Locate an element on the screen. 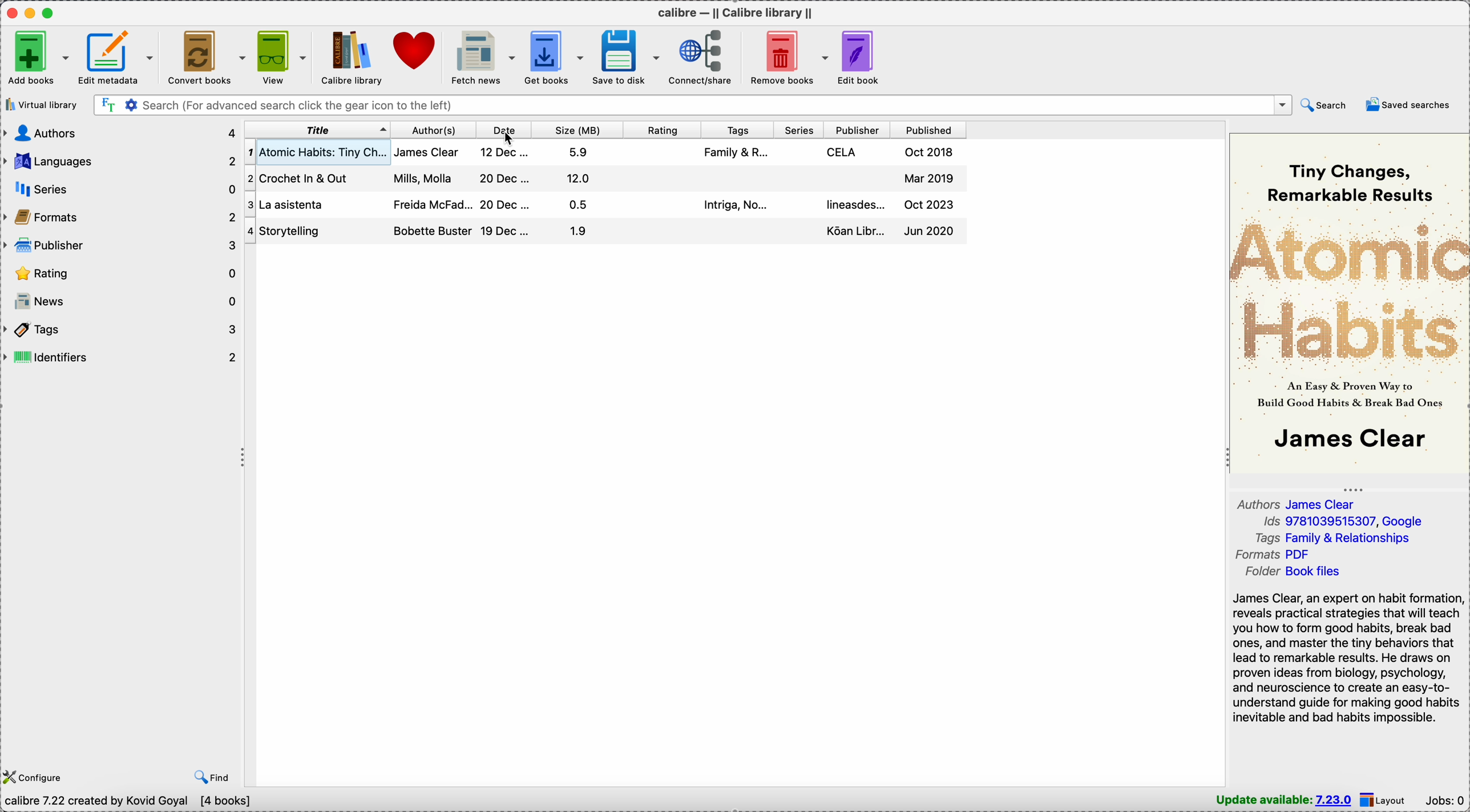 The width and height of the screenshot is (1470, 812). minimize program is located at coordinates (32, 12).